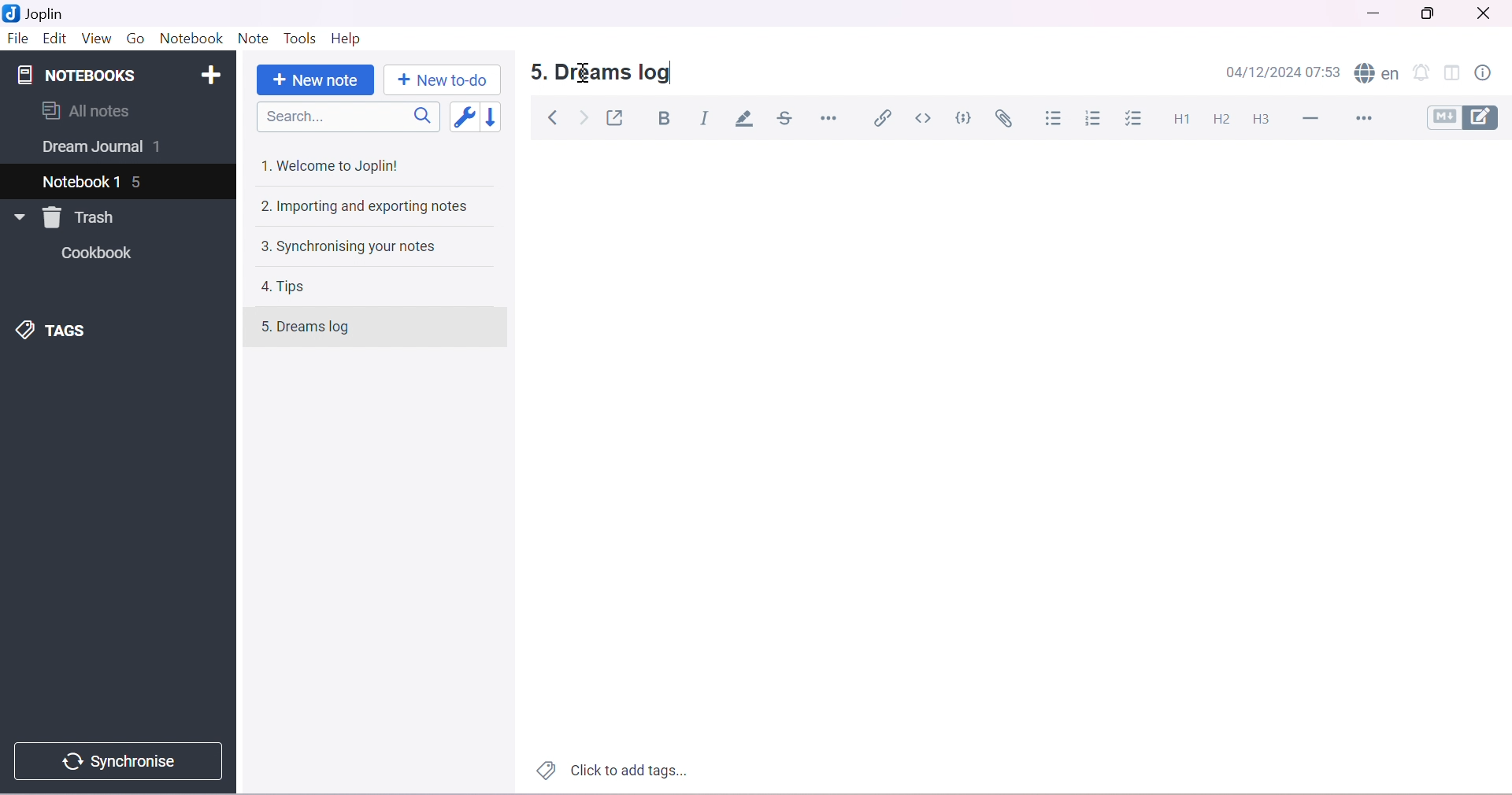 The height and width of the screenshot is (795, 1512). Describe the element at coordinates (706, 116) in the screenshot. I see `Italic` at that location.